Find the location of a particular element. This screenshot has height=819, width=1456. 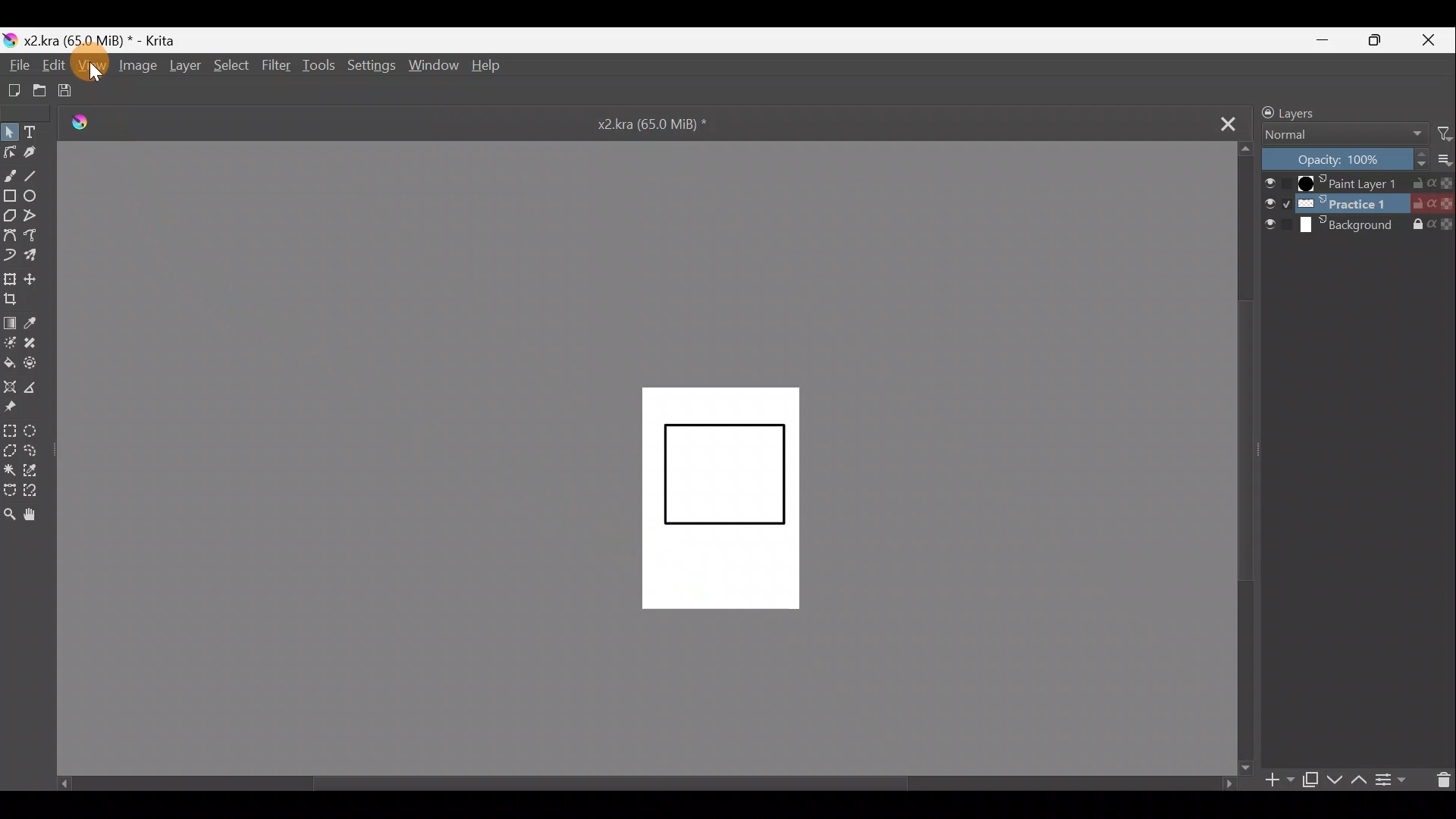

Krita logo is located at coordinates (9, 37).